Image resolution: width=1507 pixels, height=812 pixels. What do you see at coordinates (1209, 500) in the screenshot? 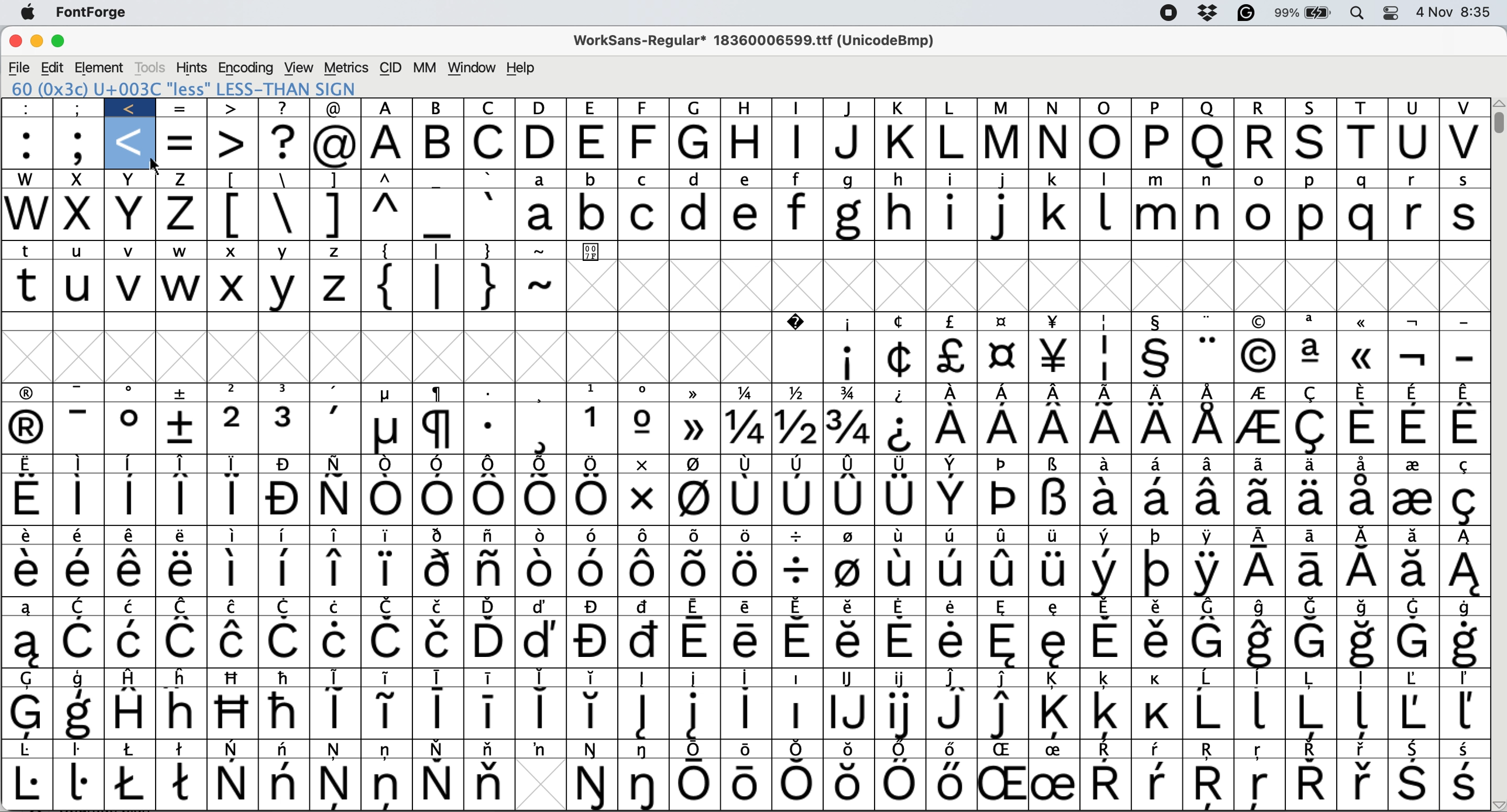
I see `Symbol` at bounding box center [1209, 500].